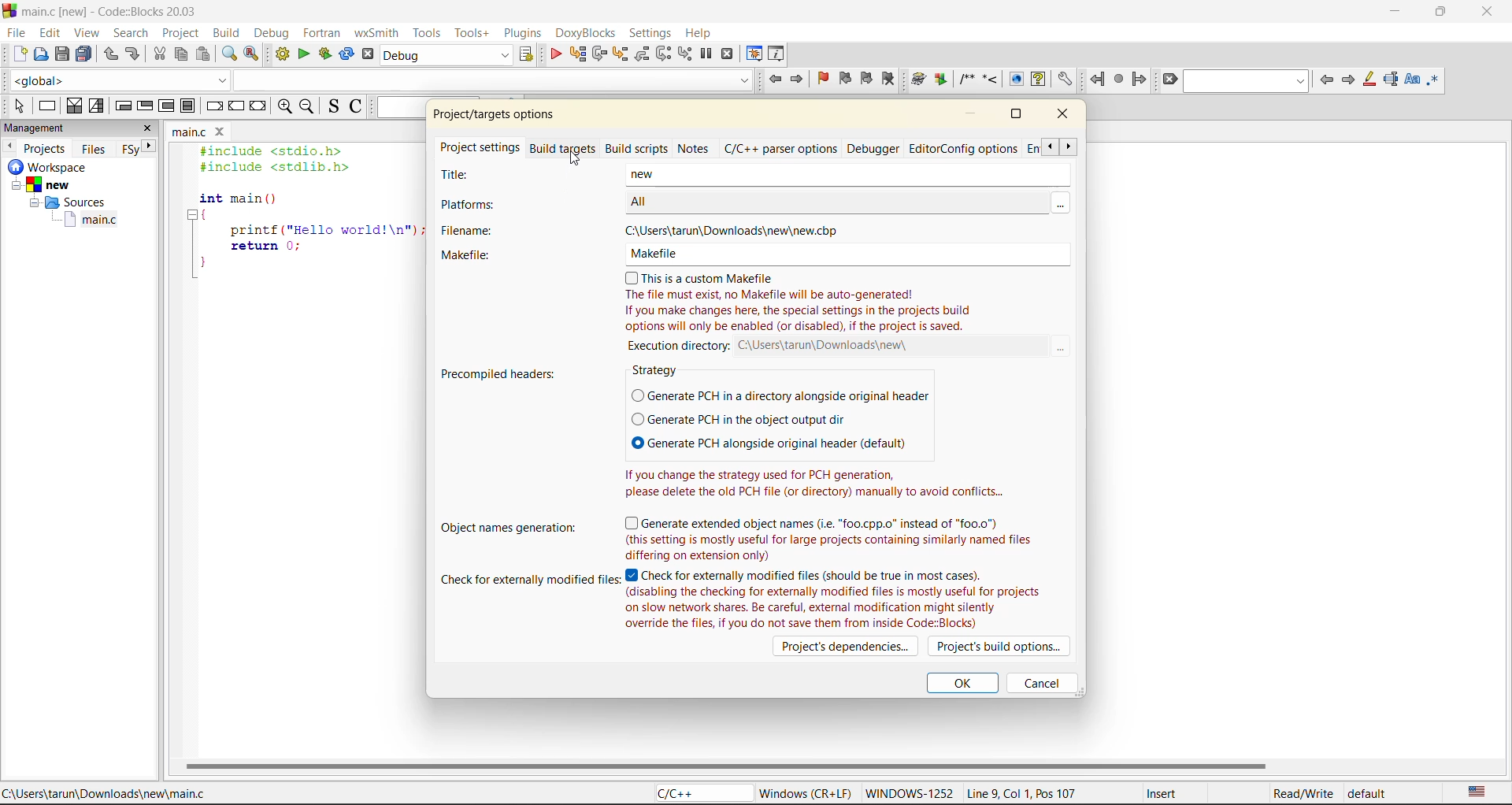 This screenshot has height=805, width=1512. Describe the element at coordinates (778, 52) in the screenshot. I see `various info` at that location.